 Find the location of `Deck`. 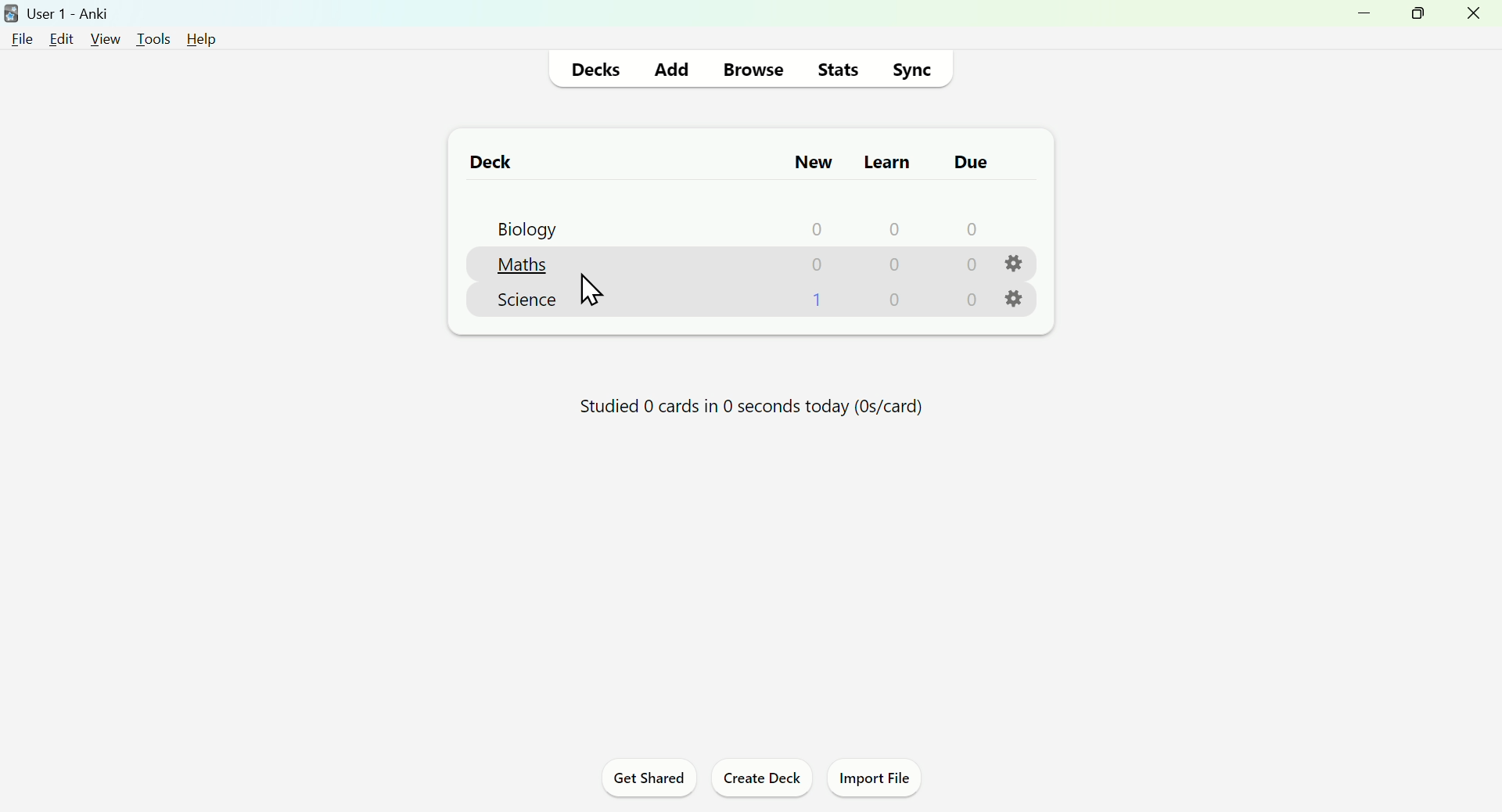

Deck is located at coordinates (483, 161).